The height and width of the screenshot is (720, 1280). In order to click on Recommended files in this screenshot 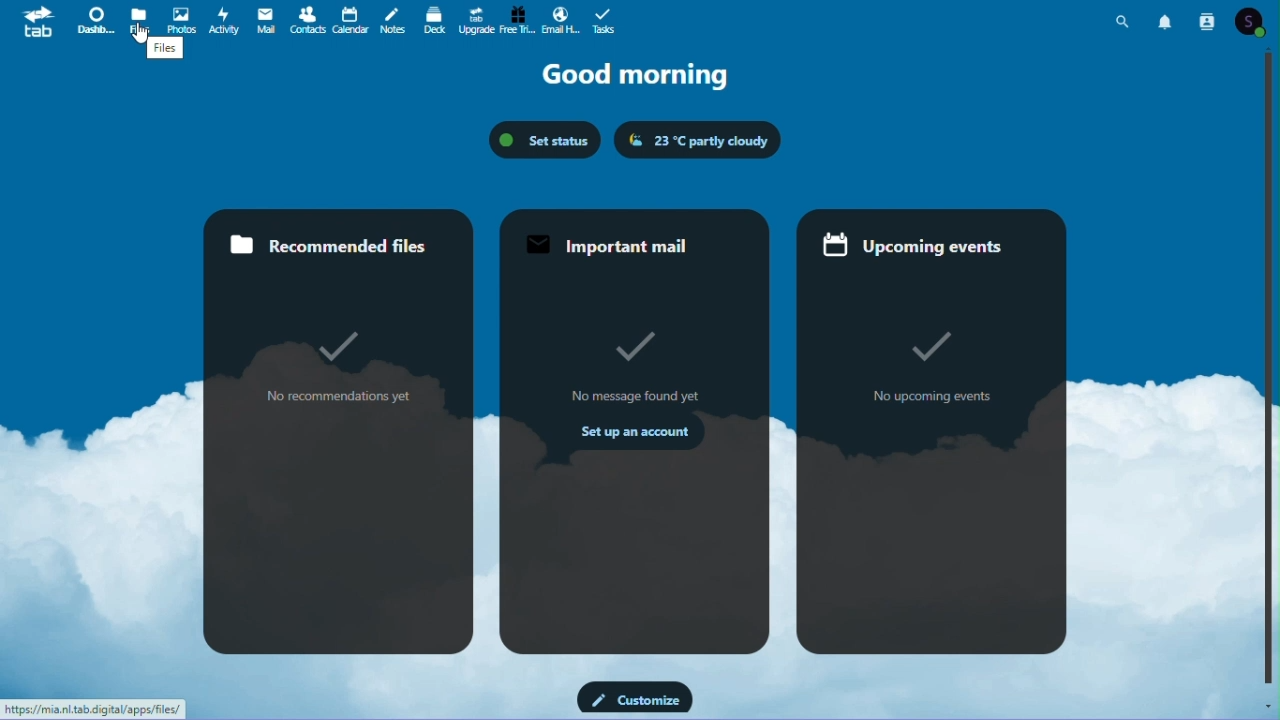, I will do `click(338, 430)`.